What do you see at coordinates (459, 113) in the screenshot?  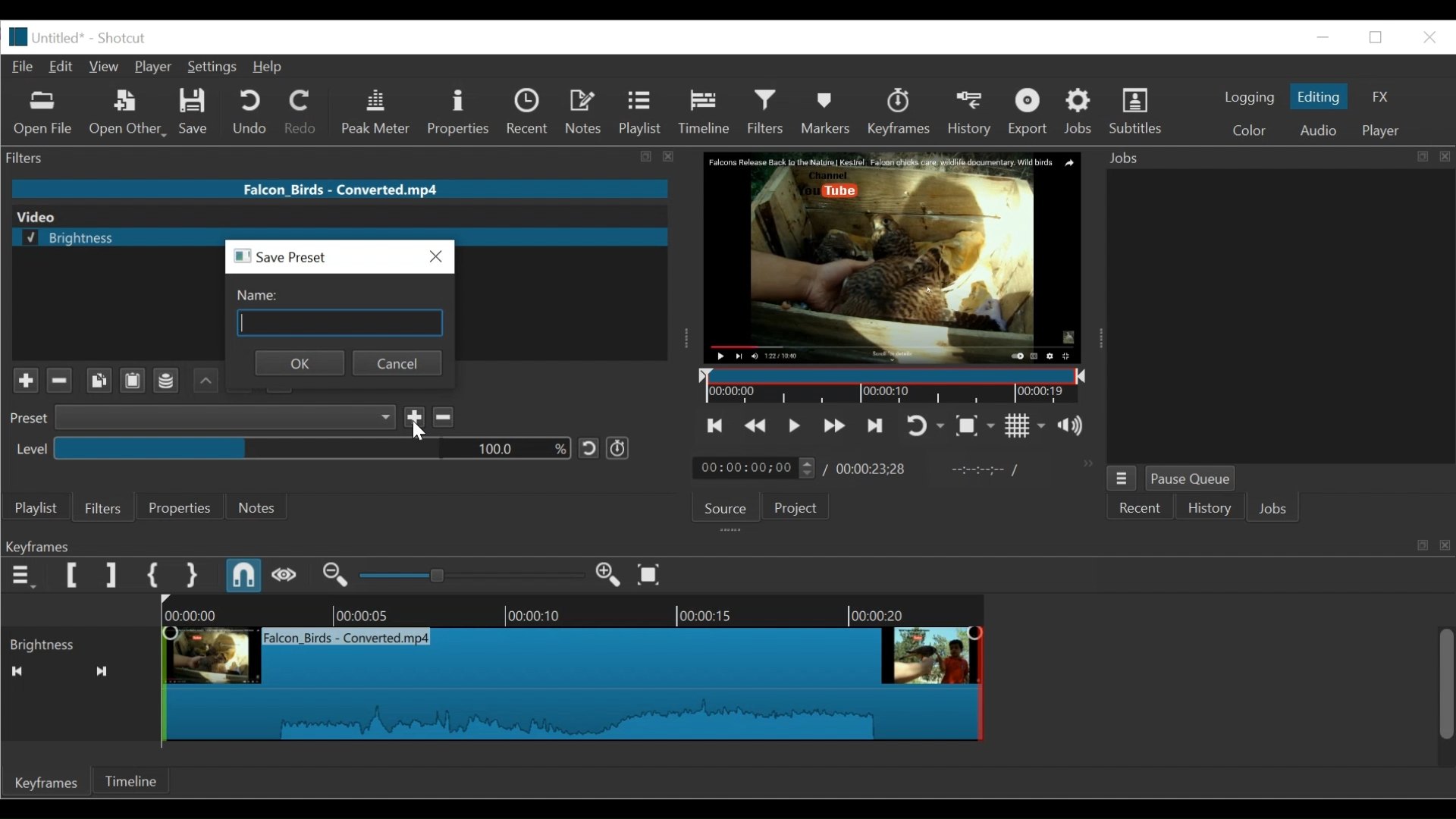 I see `Properties` at bounding box center [459, 113].